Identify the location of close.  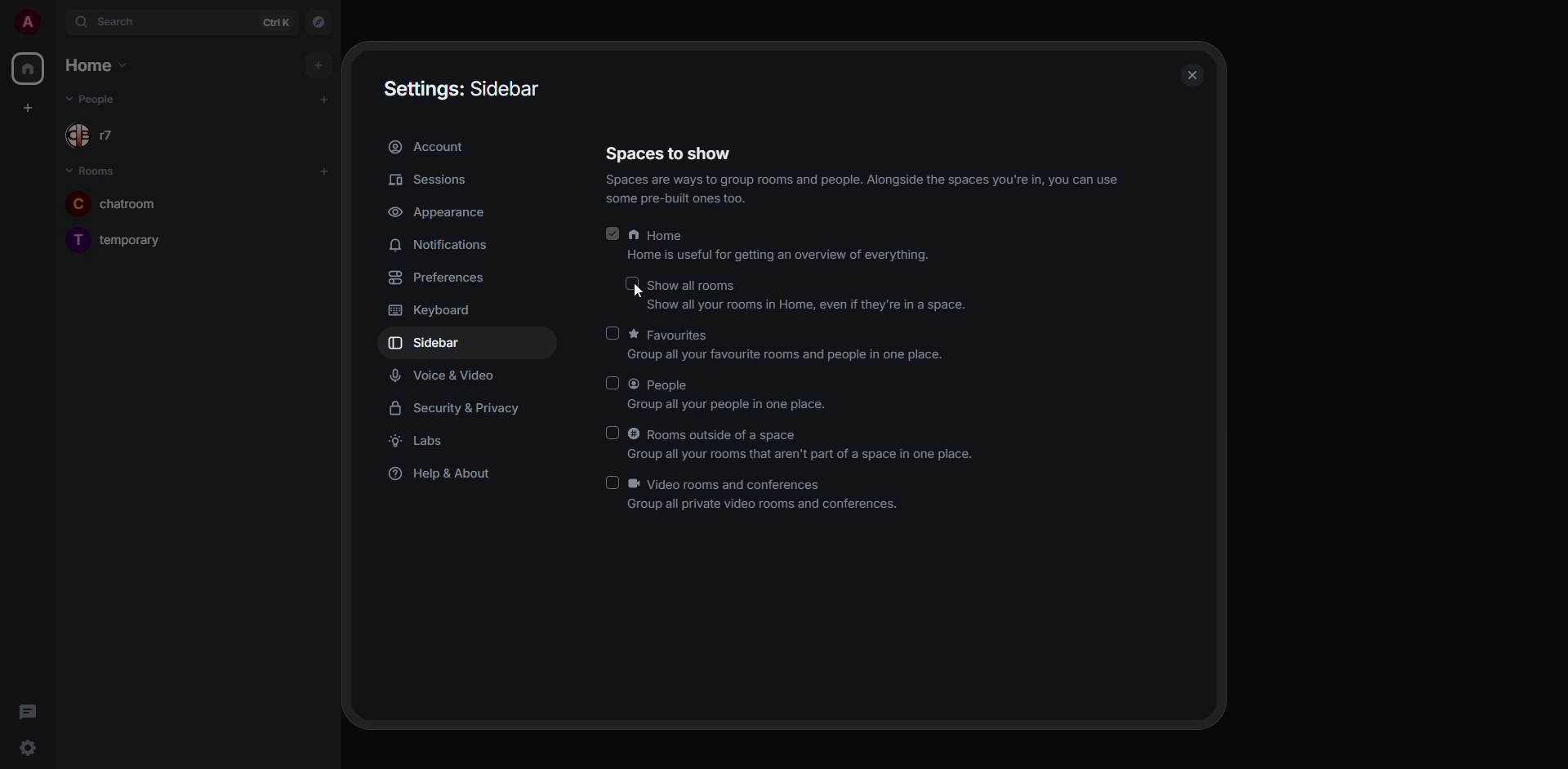
(1192, 71).